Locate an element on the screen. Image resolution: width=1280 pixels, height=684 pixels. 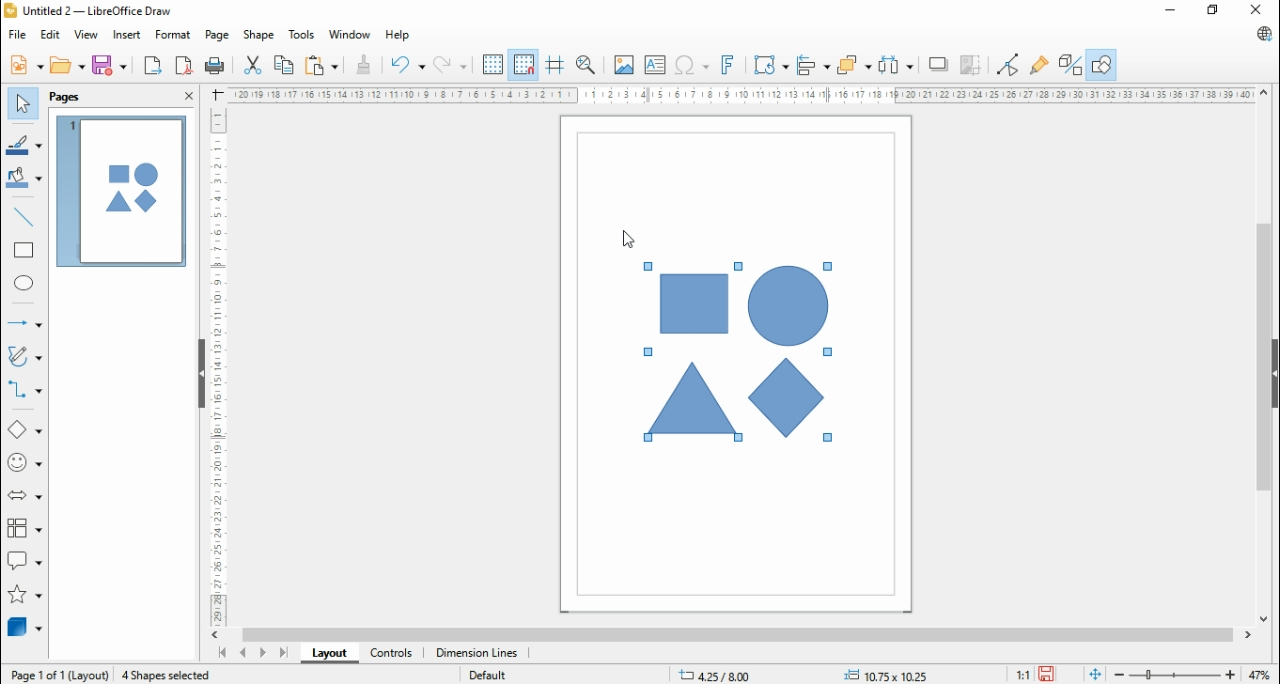
shape 4 is located at coordinates (789, 399).